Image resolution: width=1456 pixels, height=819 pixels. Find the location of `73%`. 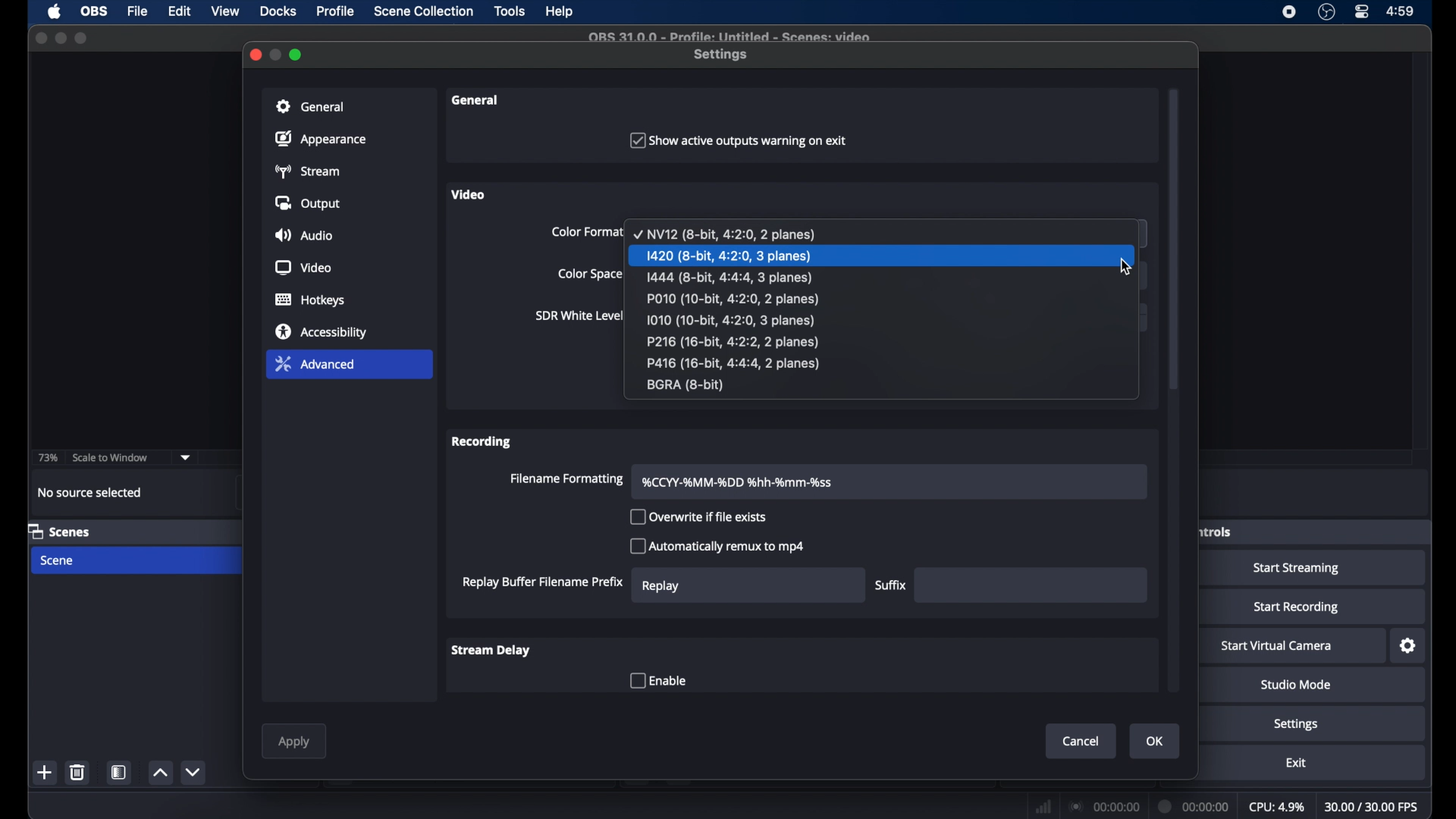

73% is located at coordinates (47, 457).